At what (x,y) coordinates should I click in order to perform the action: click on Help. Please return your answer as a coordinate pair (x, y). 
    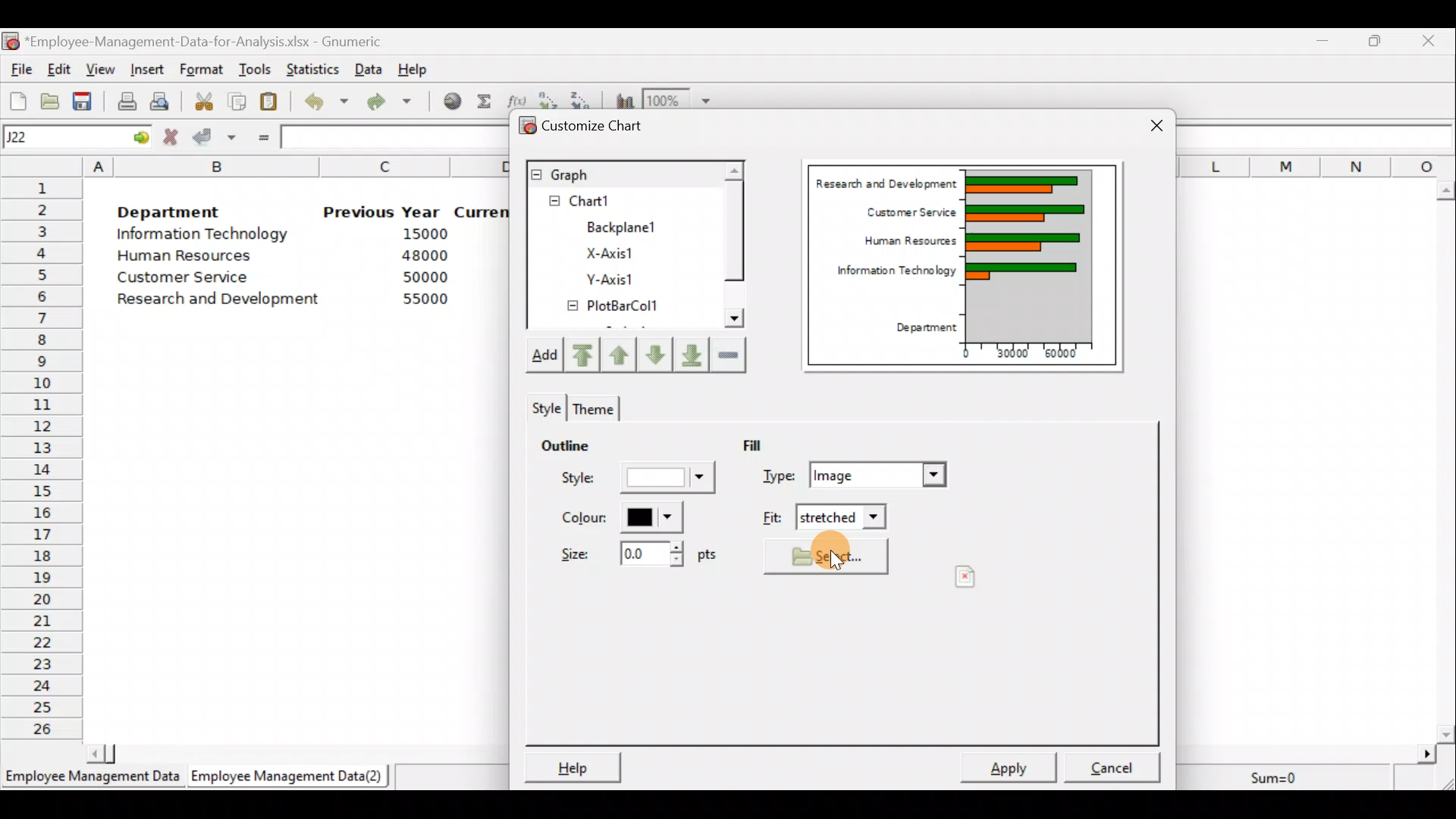
    Looking at the image, I should click on (413, 66).